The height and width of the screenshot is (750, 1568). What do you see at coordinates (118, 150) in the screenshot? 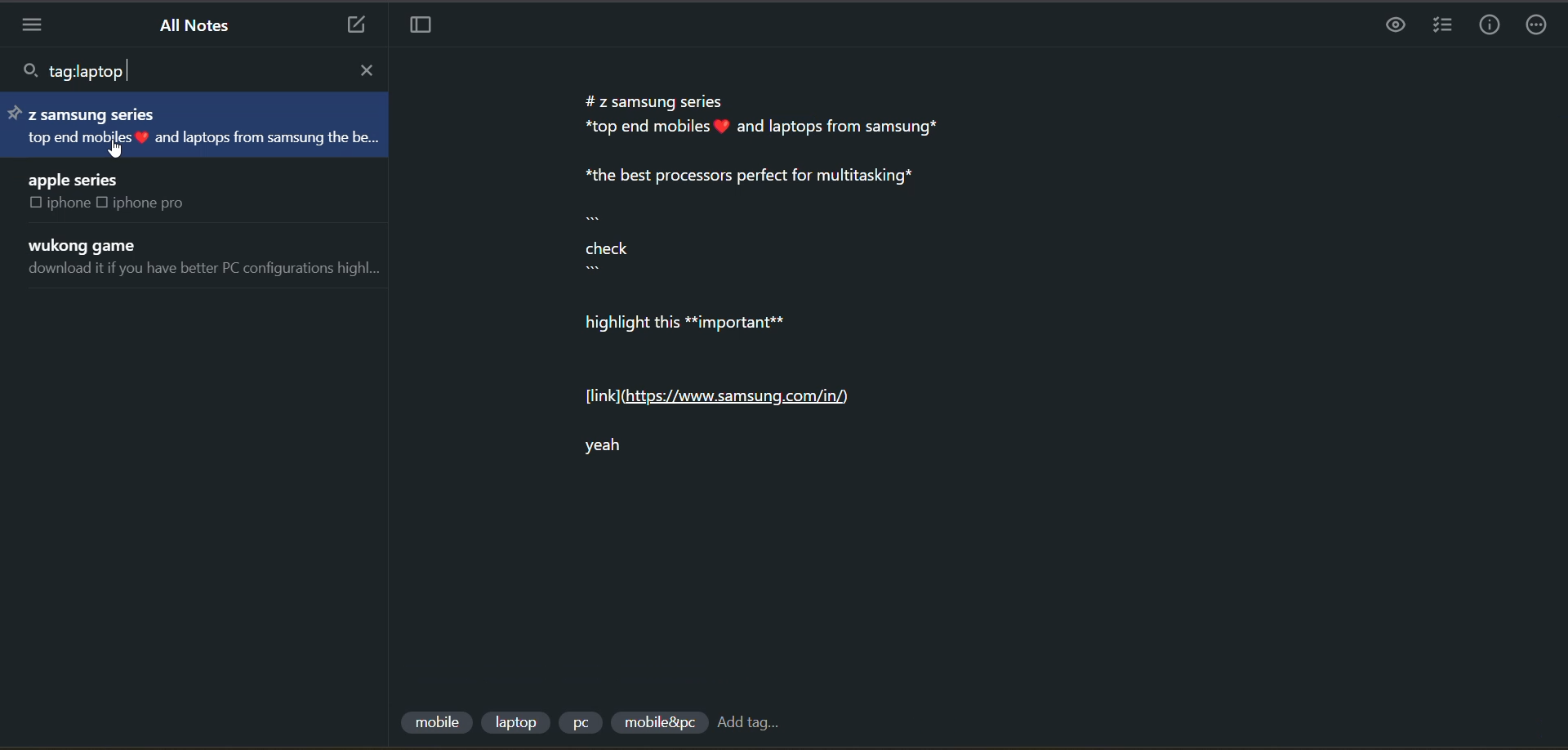
I see `cursor` at bounding box center [118, 150].